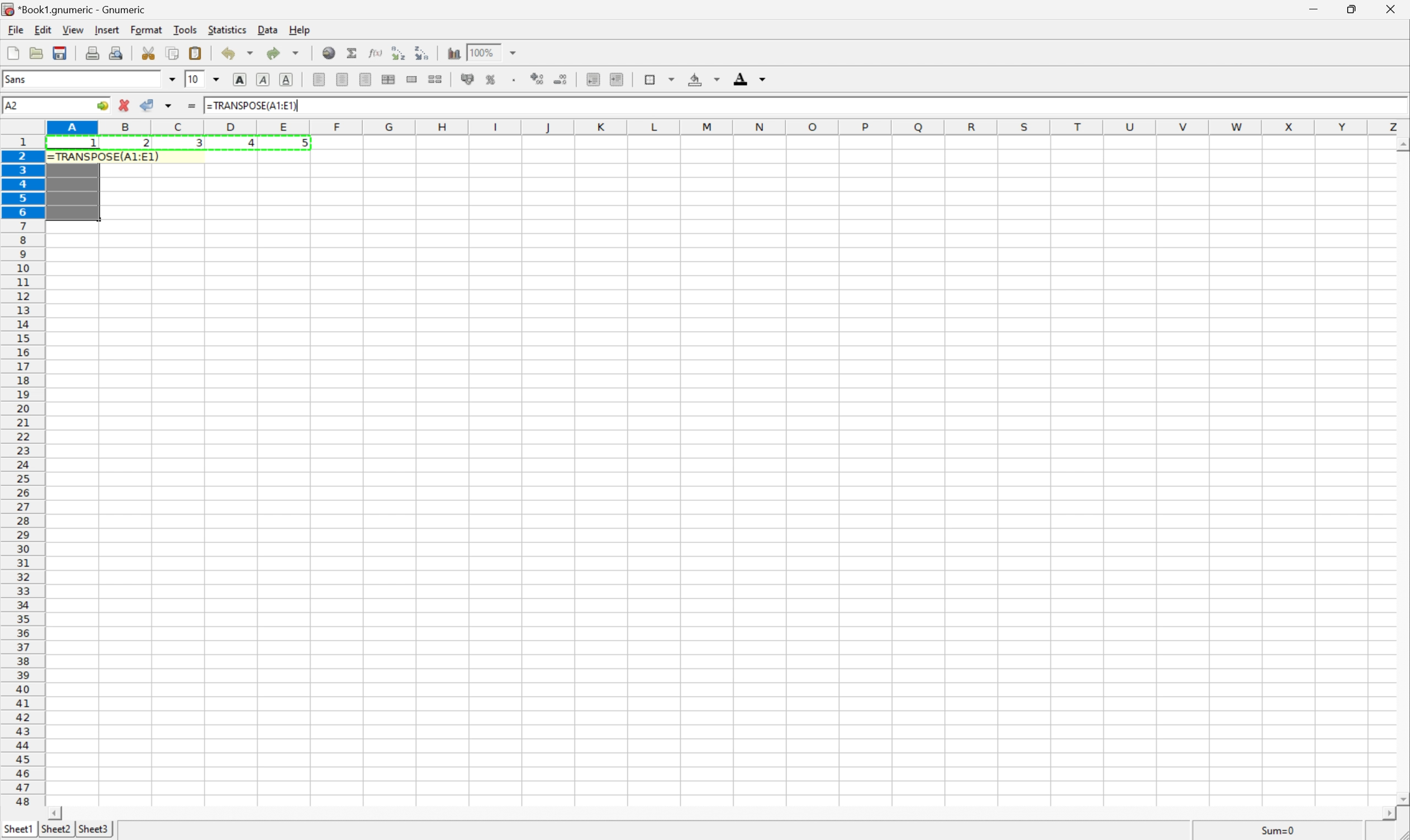 The image size is (1410, 840). Describe the element at coordinates (238, 52) in the screenshot. I see `undo` at that location.